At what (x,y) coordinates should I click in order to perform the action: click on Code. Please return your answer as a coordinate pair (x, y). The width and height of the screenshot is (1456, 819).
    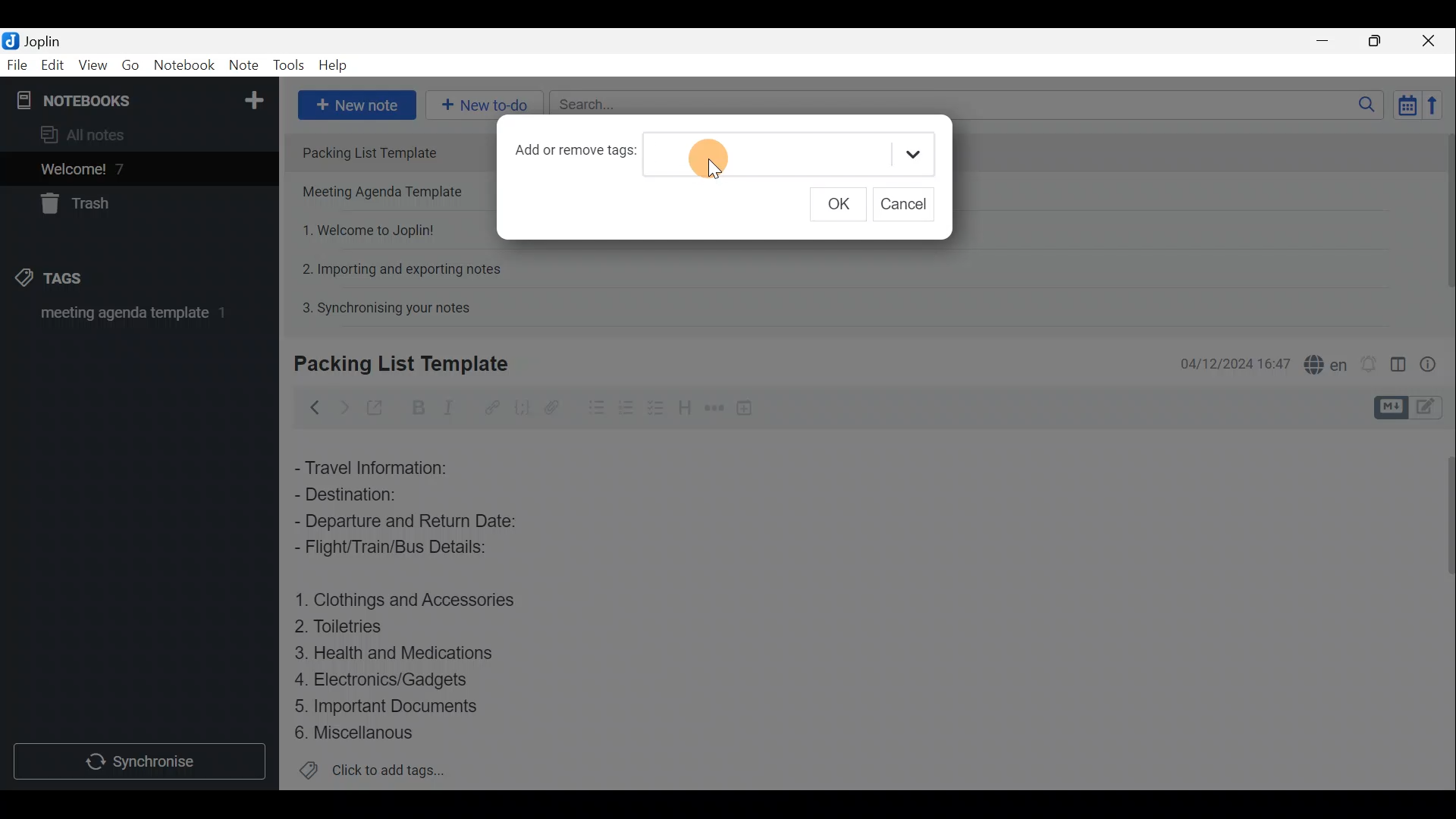
    Looking at the image, I should click on (522, 406).